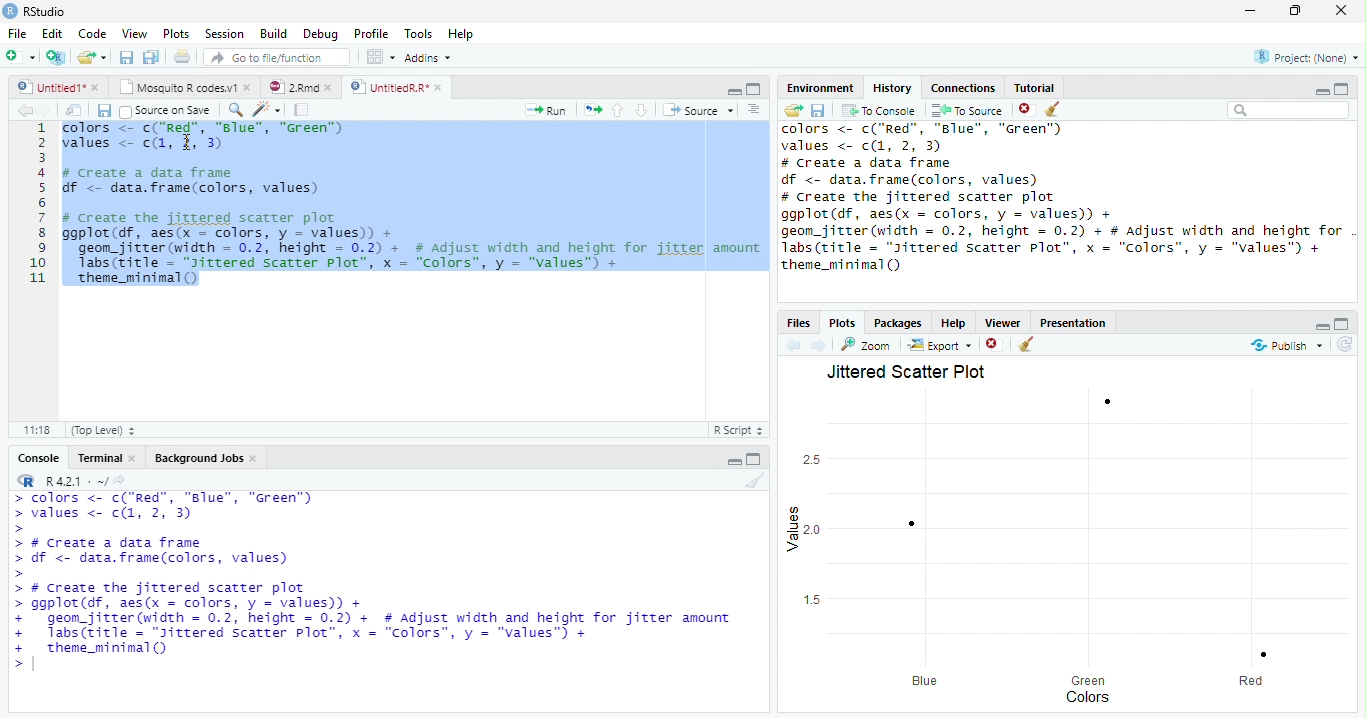  What do you see at coordinates (941, 344) in the screenshot?
I see `Export` at bounding box center [941, 344].